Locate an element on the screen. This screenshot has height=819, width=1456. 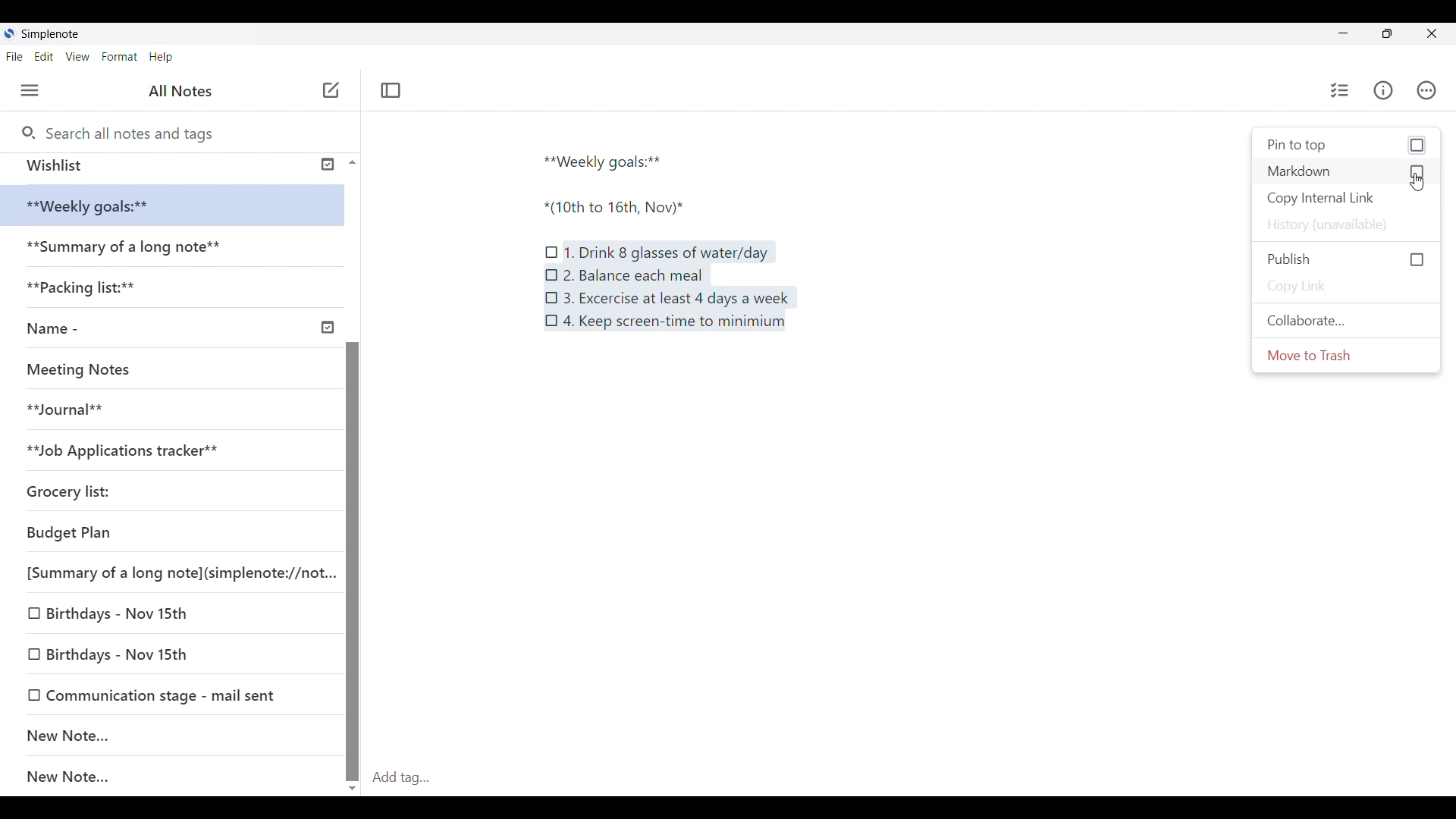
Wishlist is located at coordinates (168, 165).